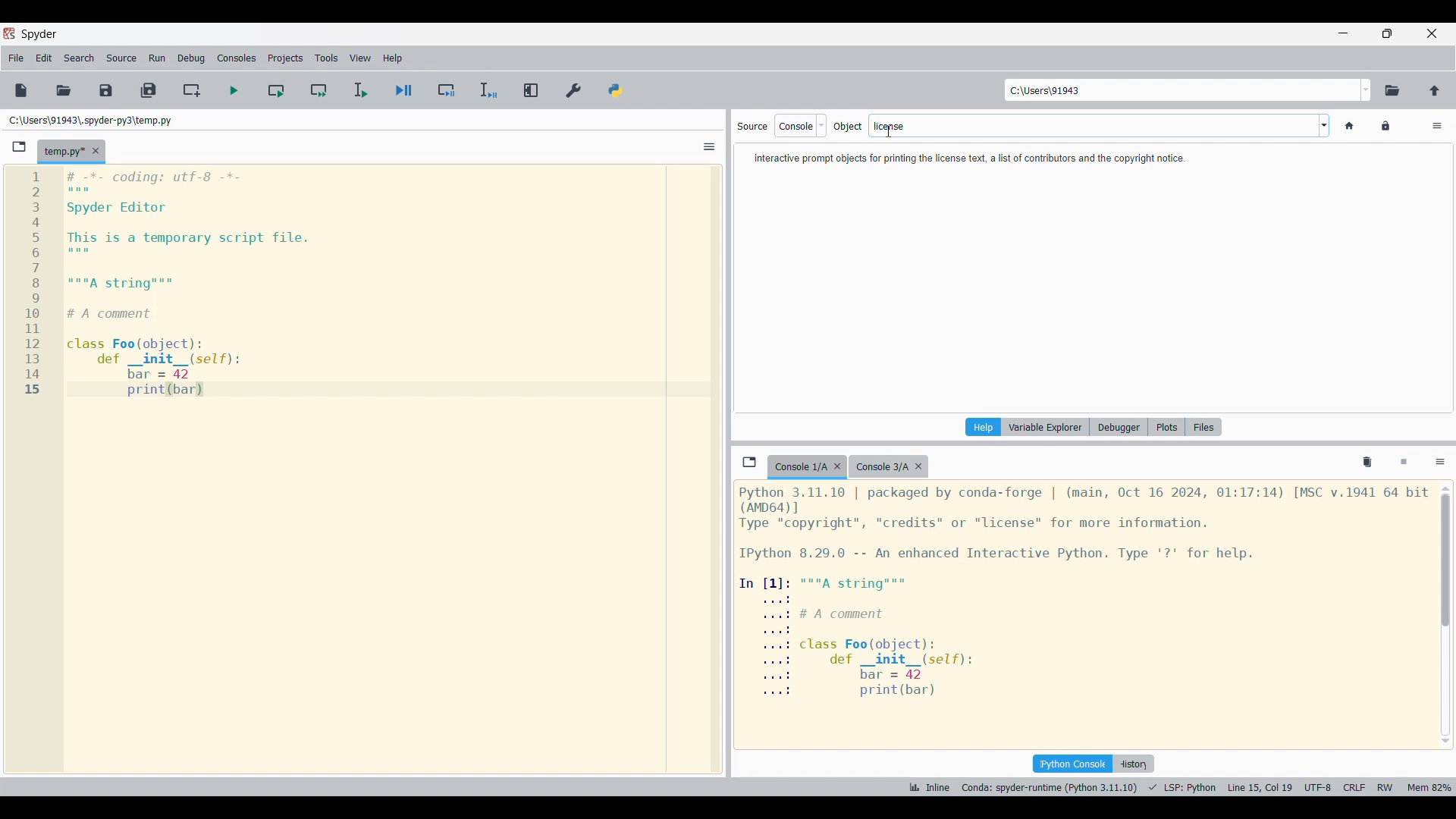 The image size is (1456, 819). What do you see at coordinates (403, 90) in the screenshot?
I see `Debug file` at bounding box center [403, 90].